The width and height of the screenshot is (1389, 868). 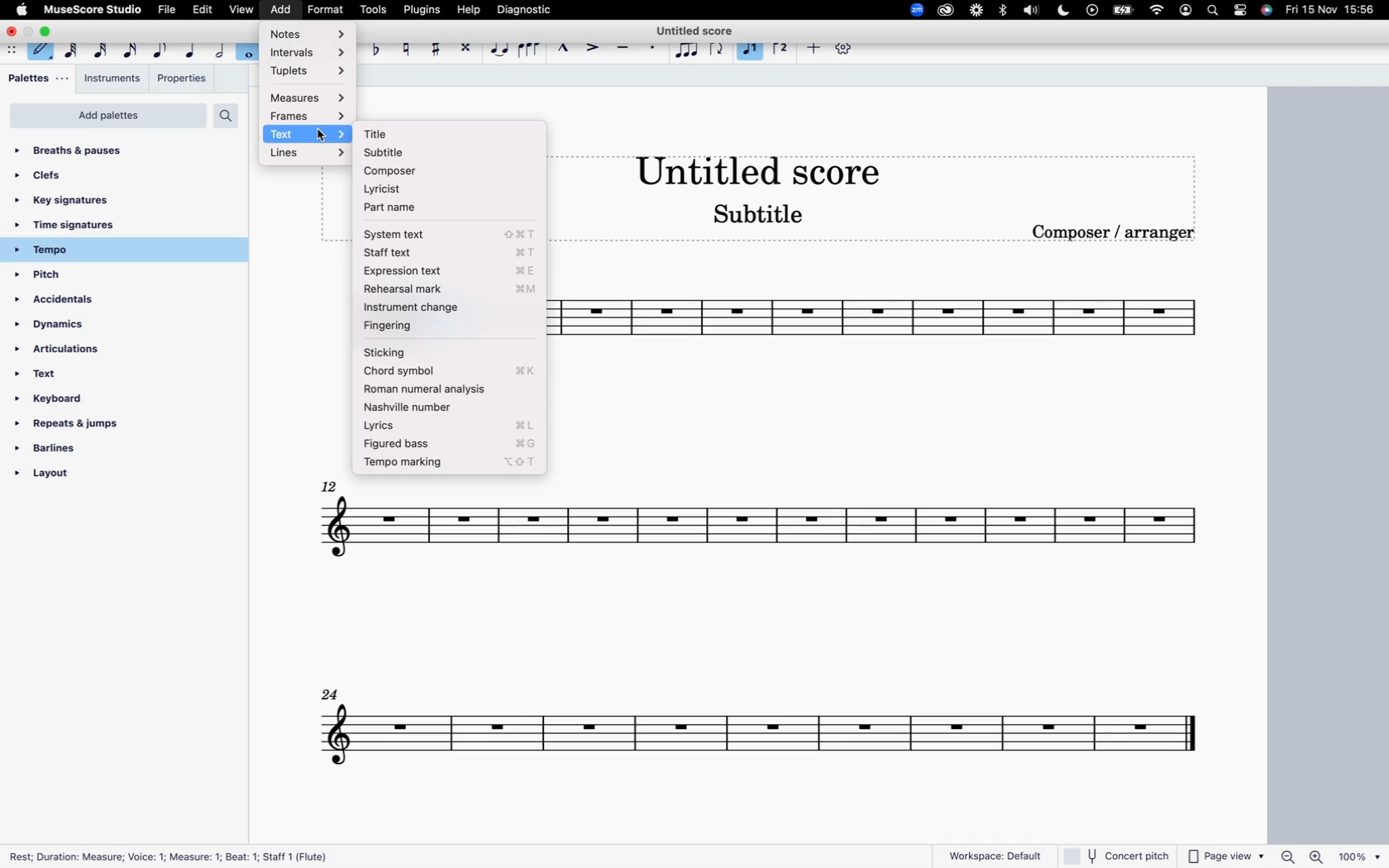 What do you see at coordinates (219, 47) in the screenshot?
I see `half note` at bounding box center [219, 47].